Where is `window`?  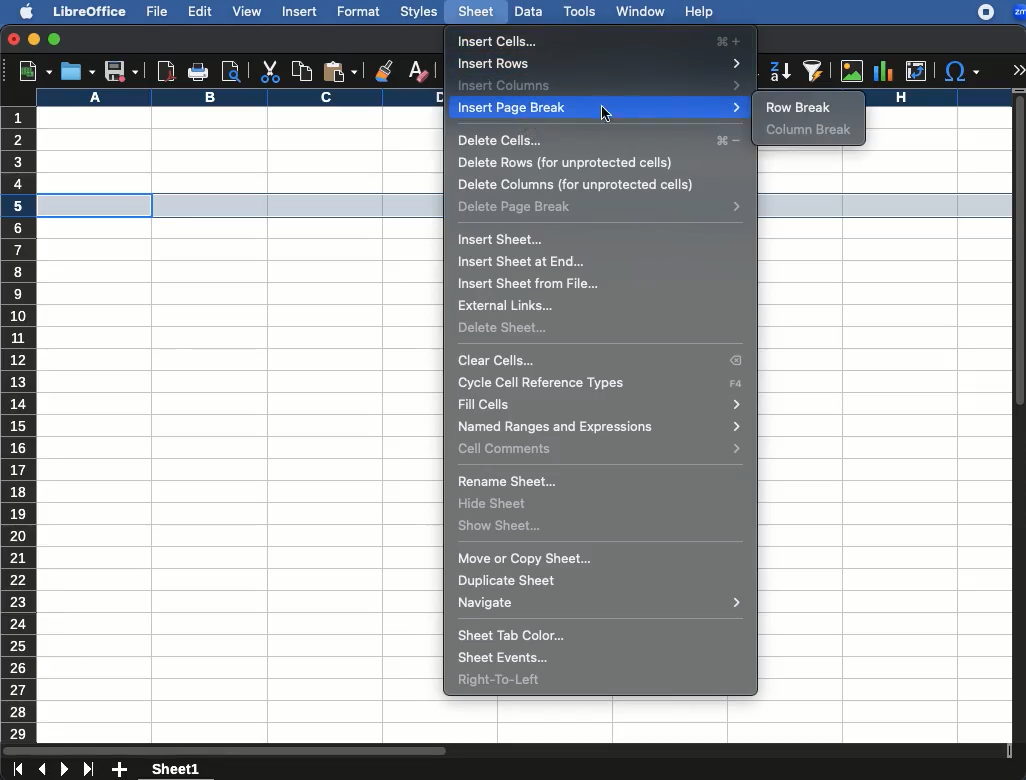
window is located at coordinates (641, 10).